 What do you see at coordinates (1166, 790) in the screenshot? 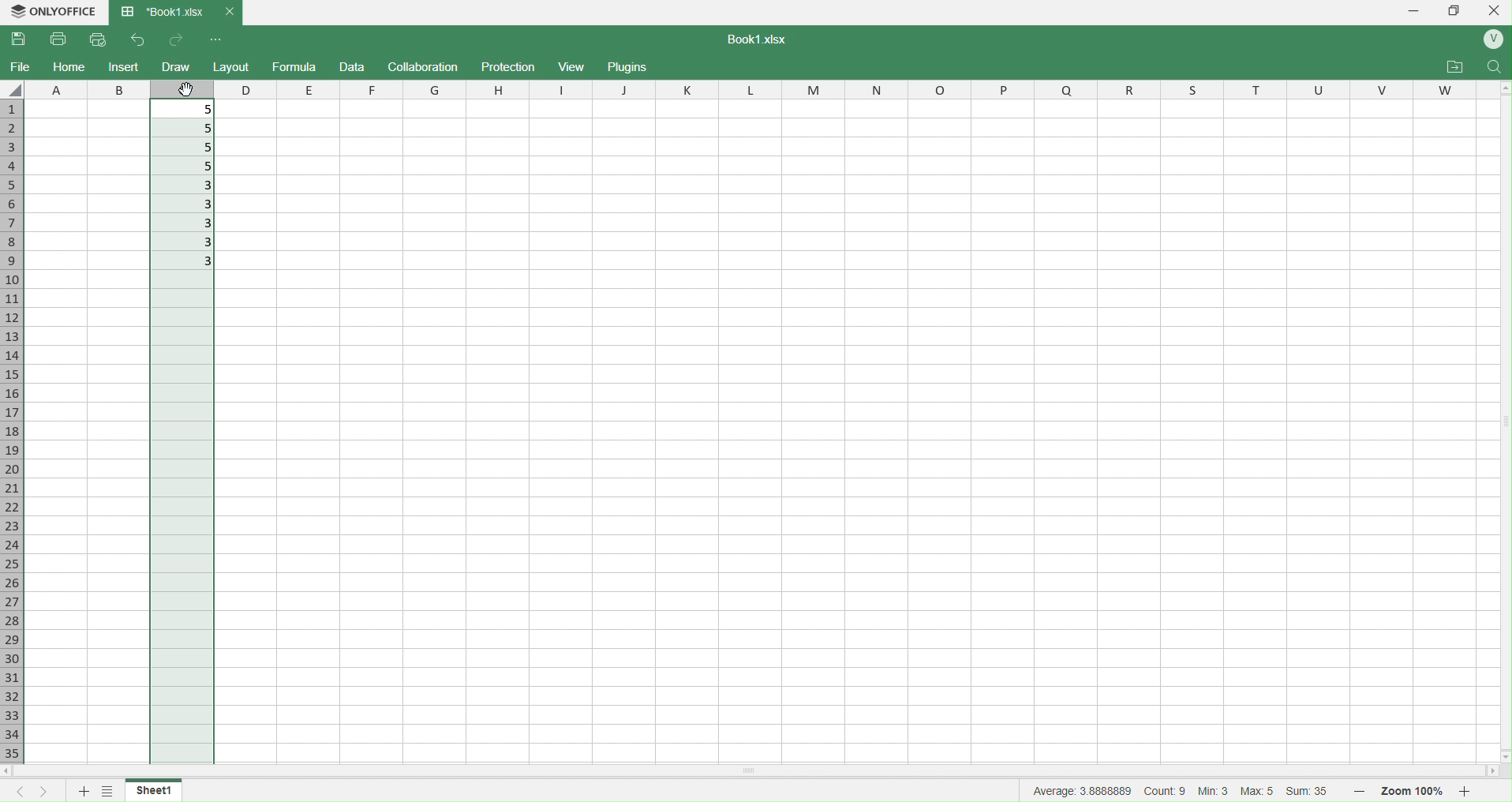
I see `cout` at bounding box center [1166, 790].